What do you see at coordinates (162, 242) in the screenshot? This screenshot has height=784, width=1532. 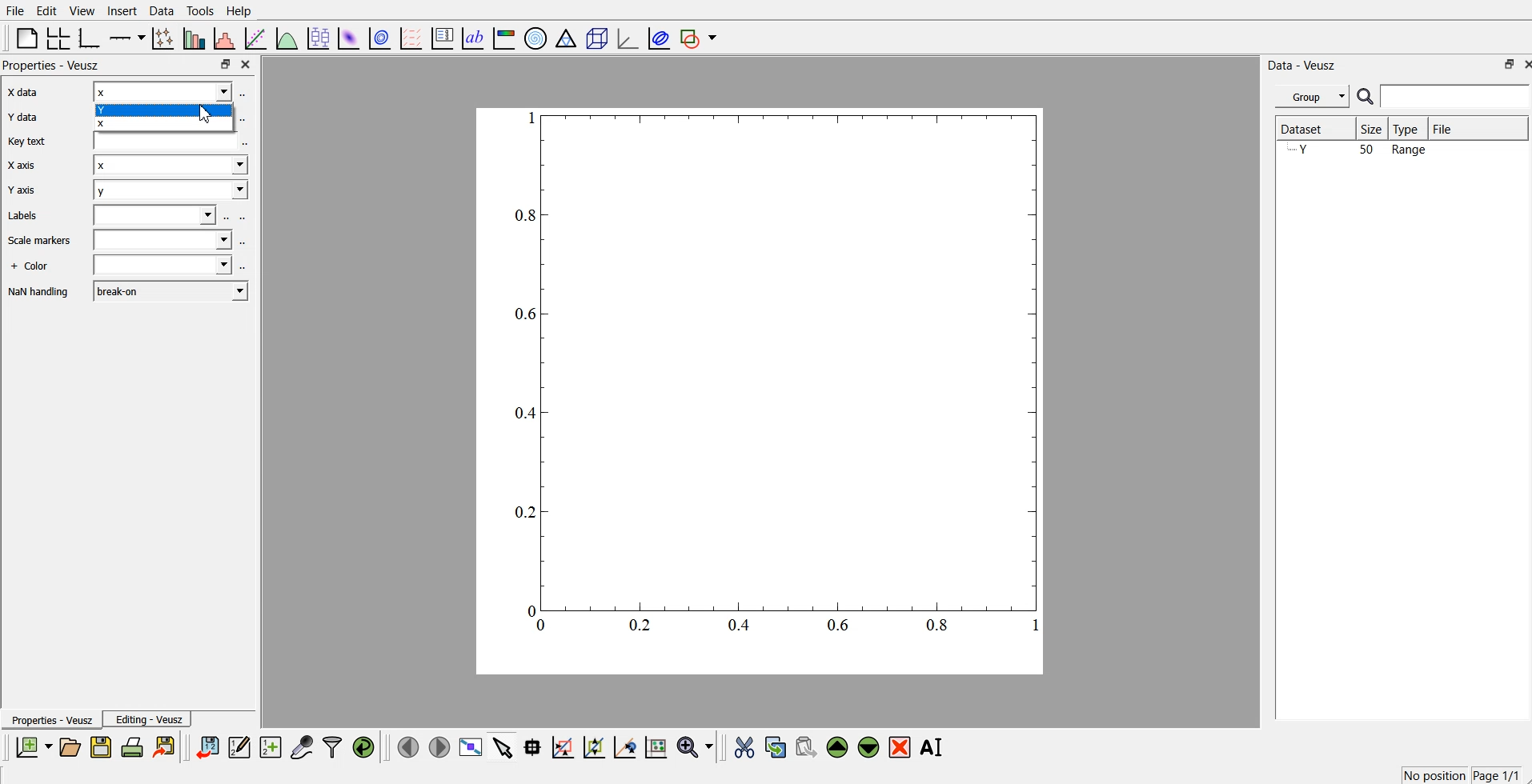 I see `‘Scale markers field` at bounding box center [162, 242].